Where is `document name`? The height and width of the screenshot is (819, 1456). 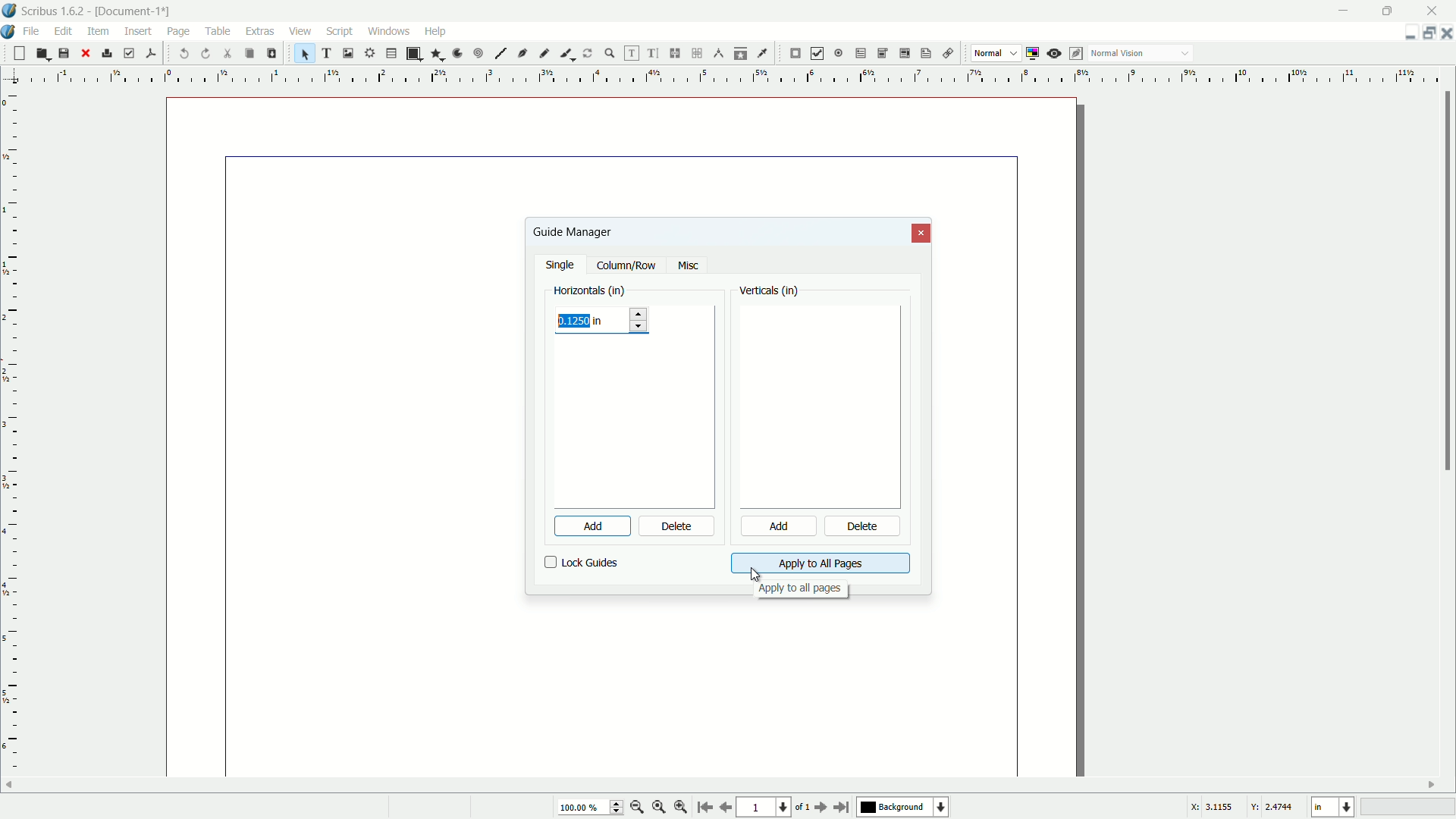 document name is located at coordinates (136, 11).